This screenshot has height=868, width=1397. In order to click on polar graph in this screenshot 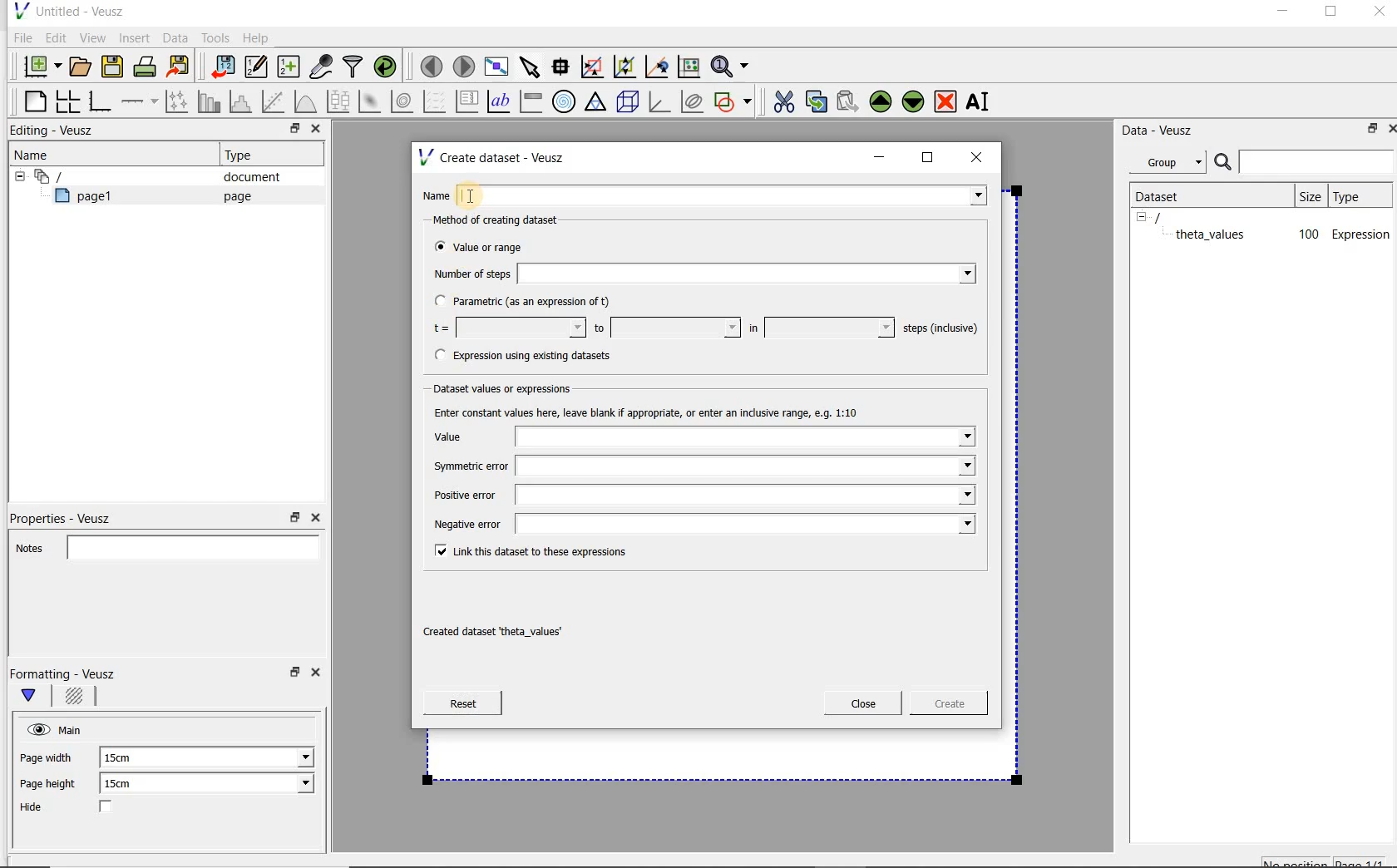, I will do `click(565, 101)`.